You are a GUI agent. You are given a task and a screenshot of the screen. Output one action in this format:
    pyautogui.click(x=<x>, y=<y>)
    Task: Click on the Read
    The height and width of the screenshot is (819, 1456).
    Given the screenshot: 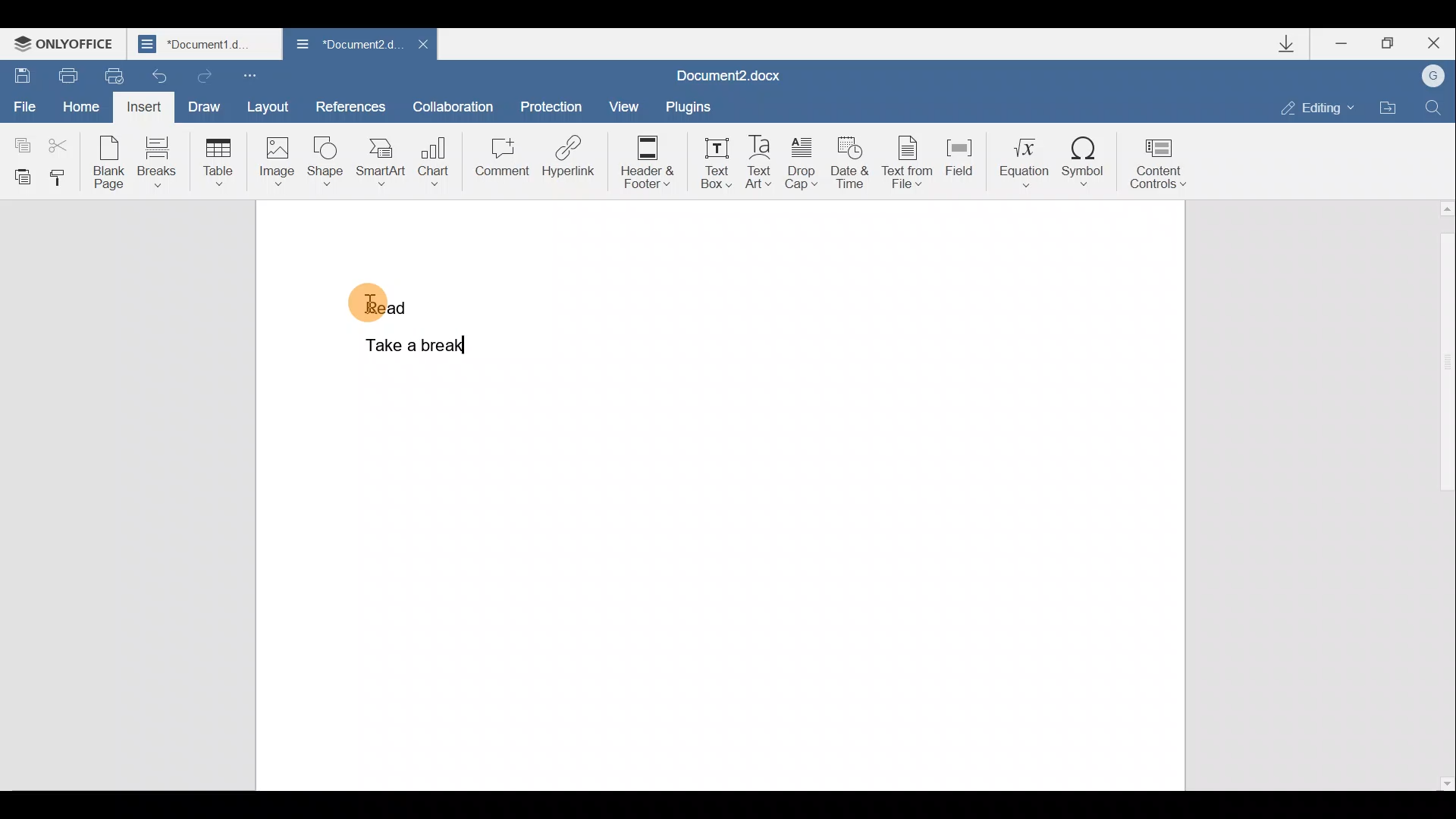 What is the action you would take?
    pyautogui.click(x=379, y=299)
    